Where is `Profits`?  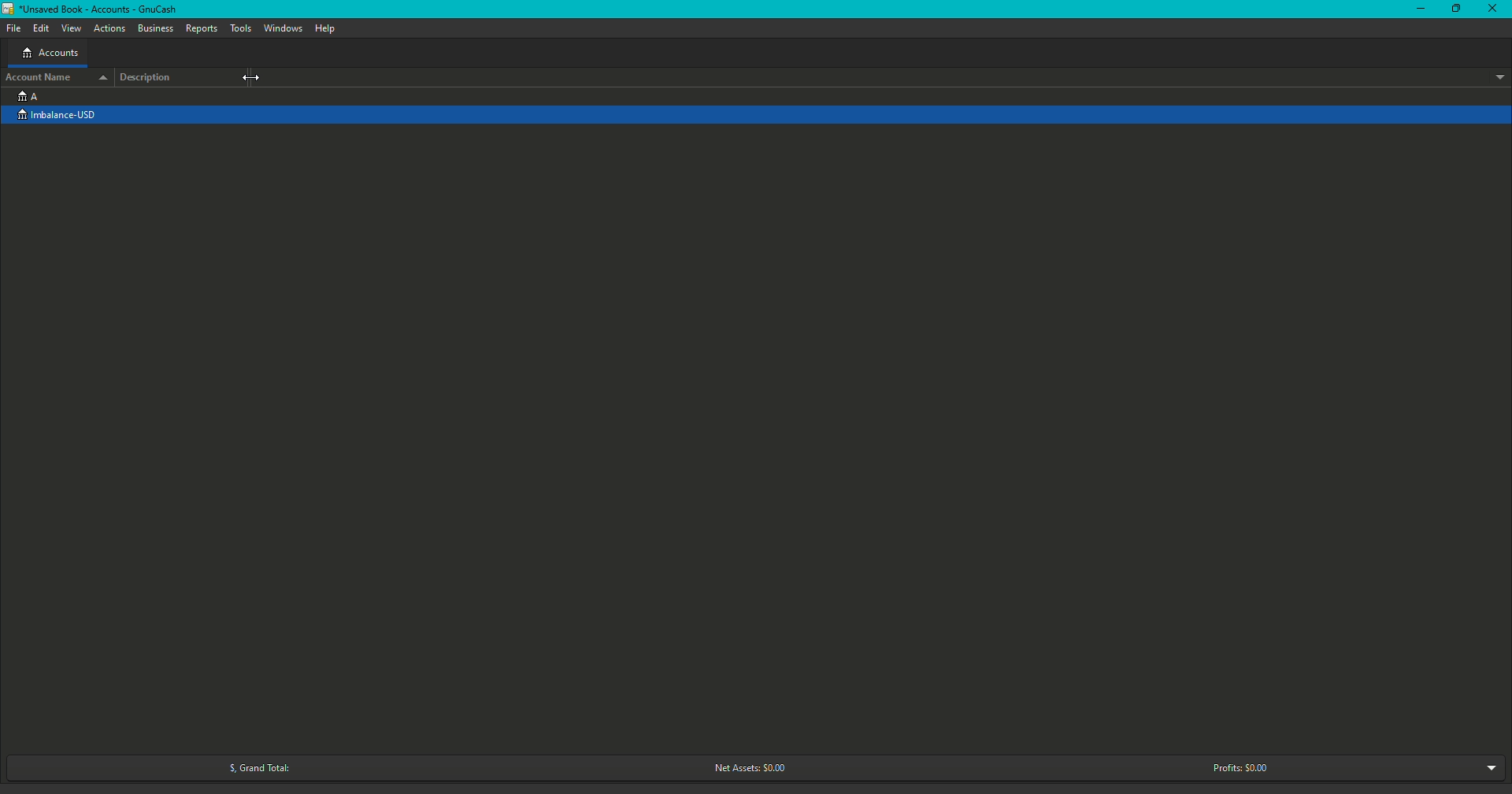 Profits is located at coordinates (1240, 767).